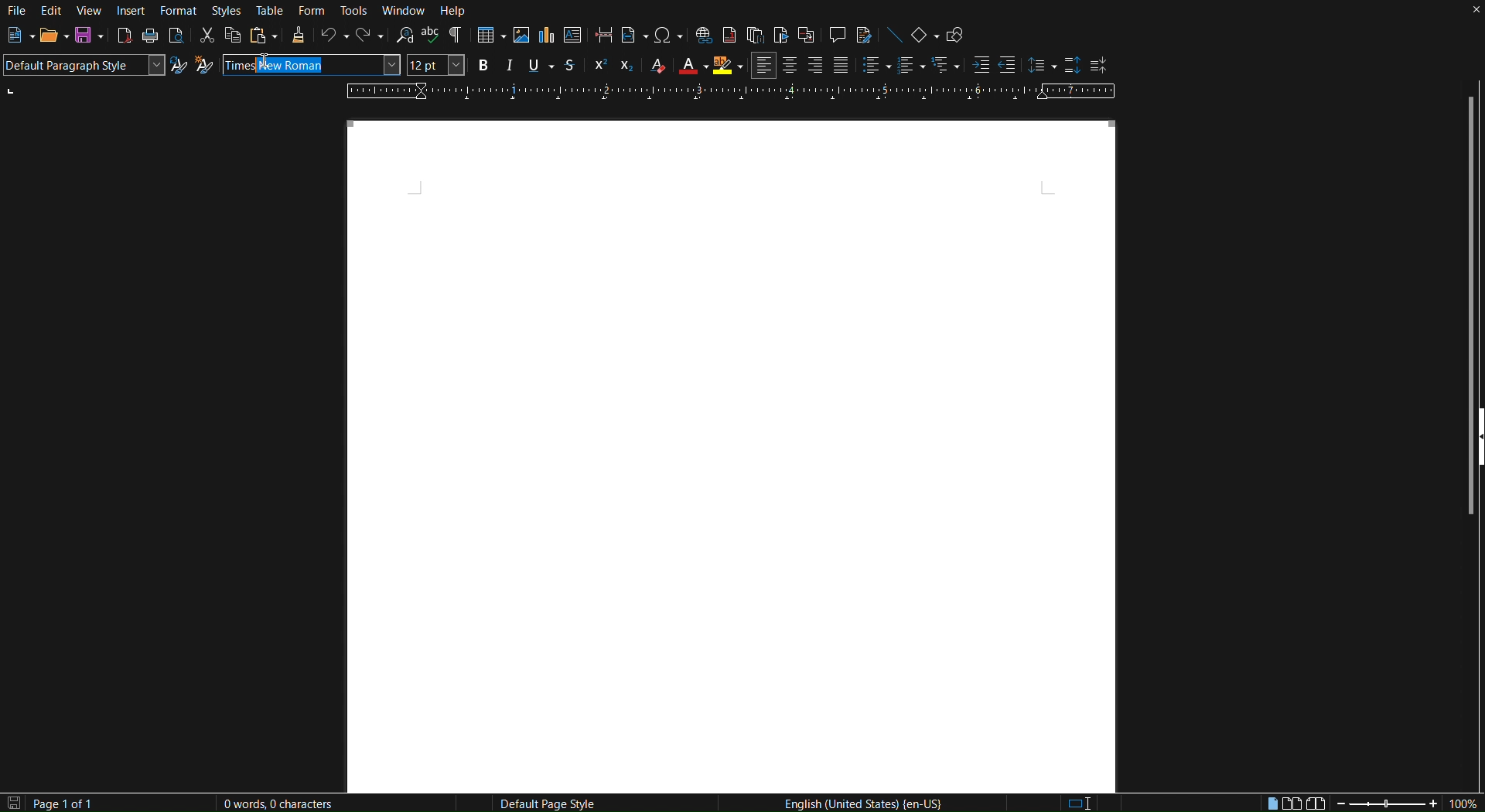 The height and width of the screenshot is (812, 1485). What do you see at coordinates (703, 37) in the screenshot?
I see `Insert Hyperlink` at bounding box center [703, 37].